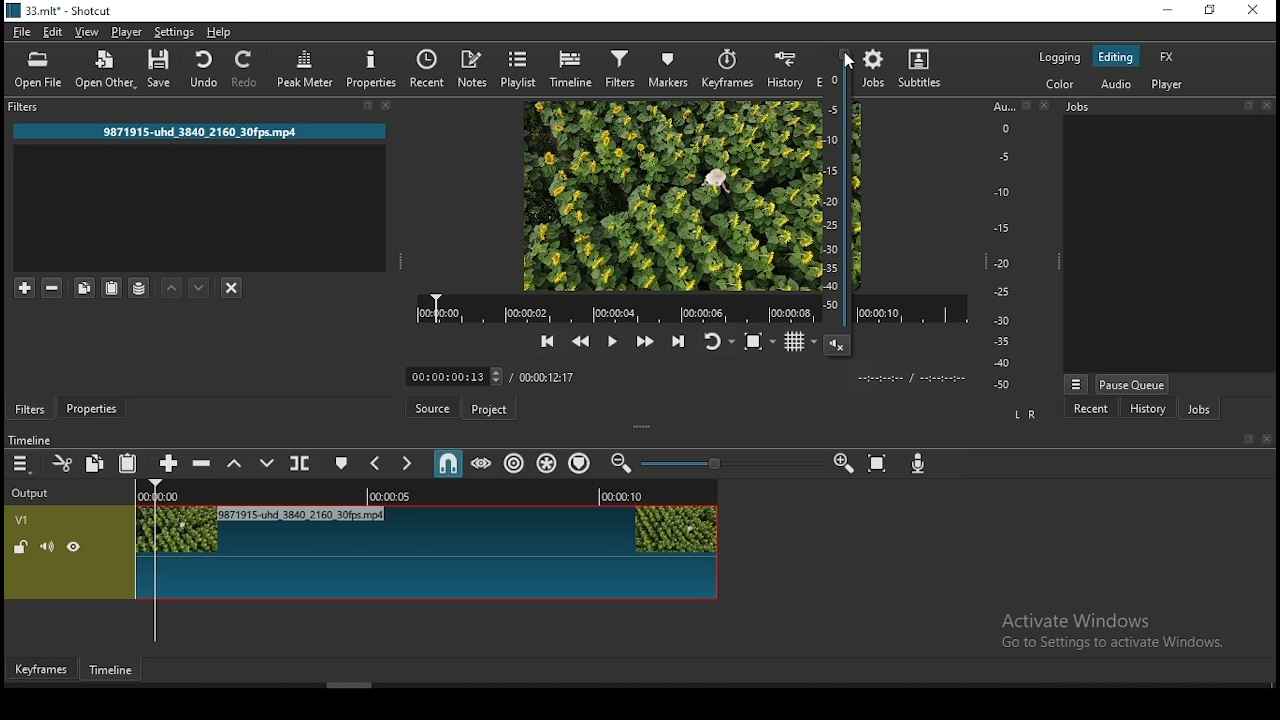 This screenshot has width=1280, height=720. I want to click on save, so click(163, 69).